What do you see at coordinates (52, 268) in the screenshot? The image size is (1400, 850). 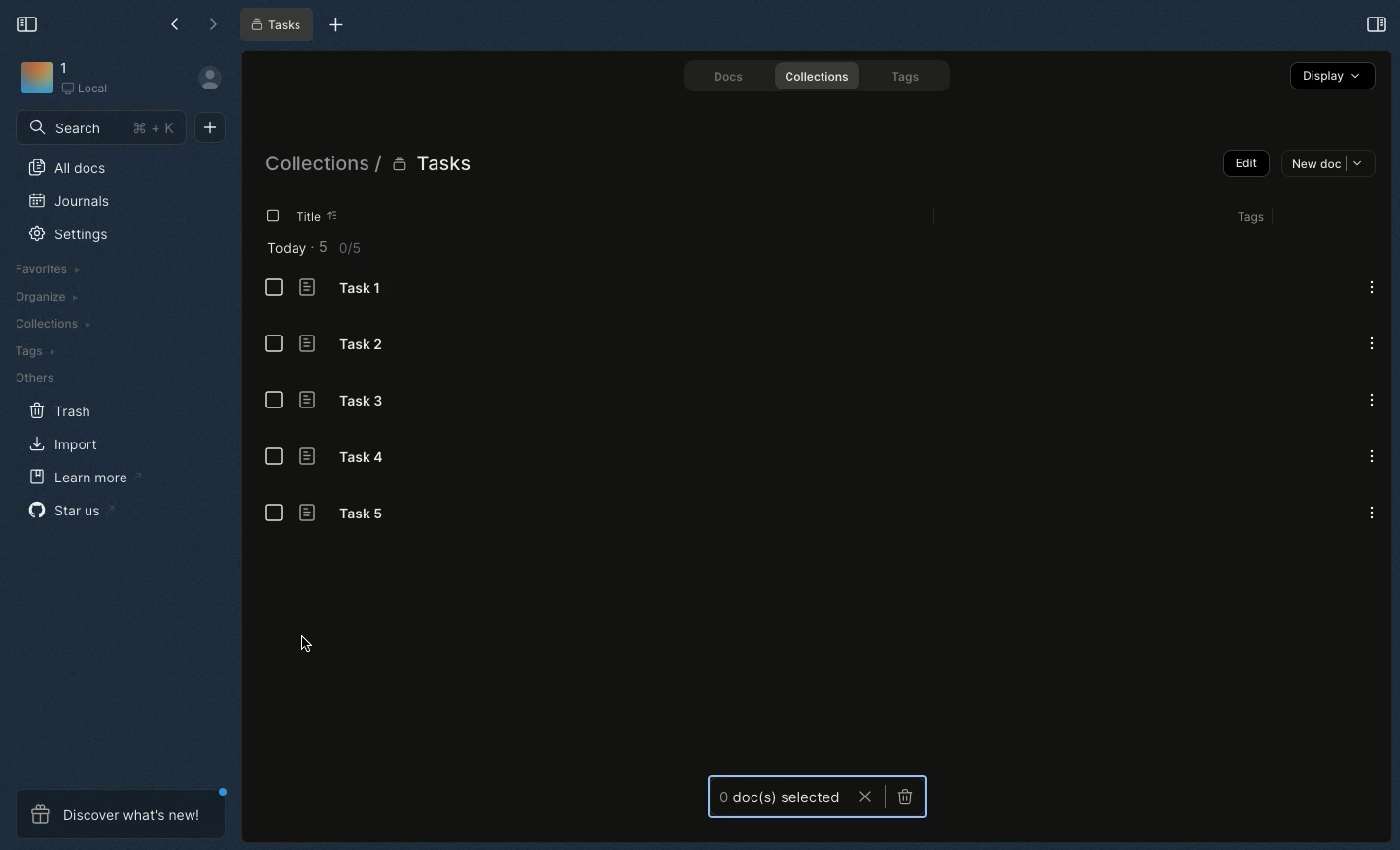 I see `Favorites` at bounding box center [52, 268].